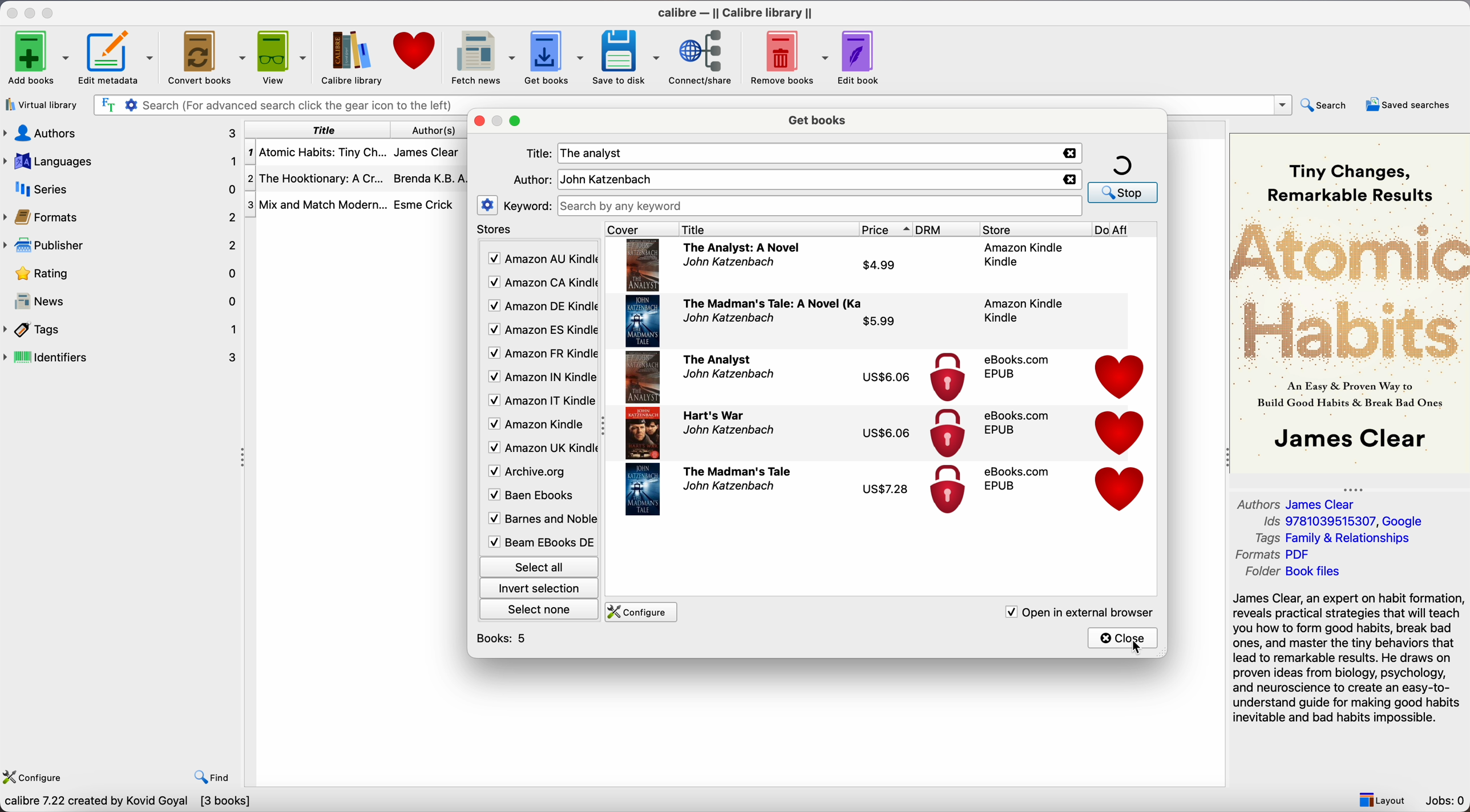 This screenshot has height=812, width=1470. I want to click on DRM, so click(947, 229).